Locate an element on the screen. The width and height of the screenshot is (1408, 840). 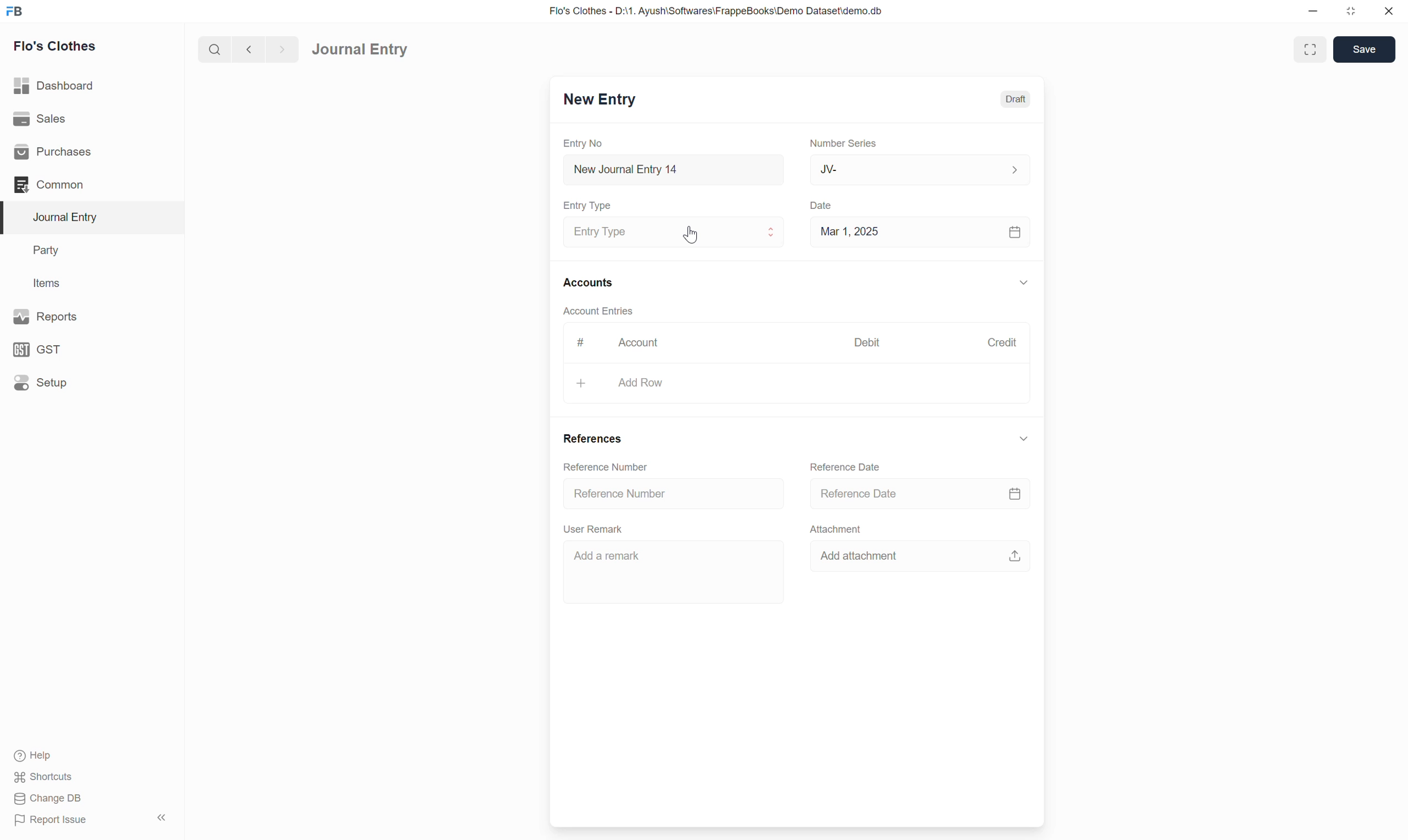
Purchases is located at coordinates (56, 152).